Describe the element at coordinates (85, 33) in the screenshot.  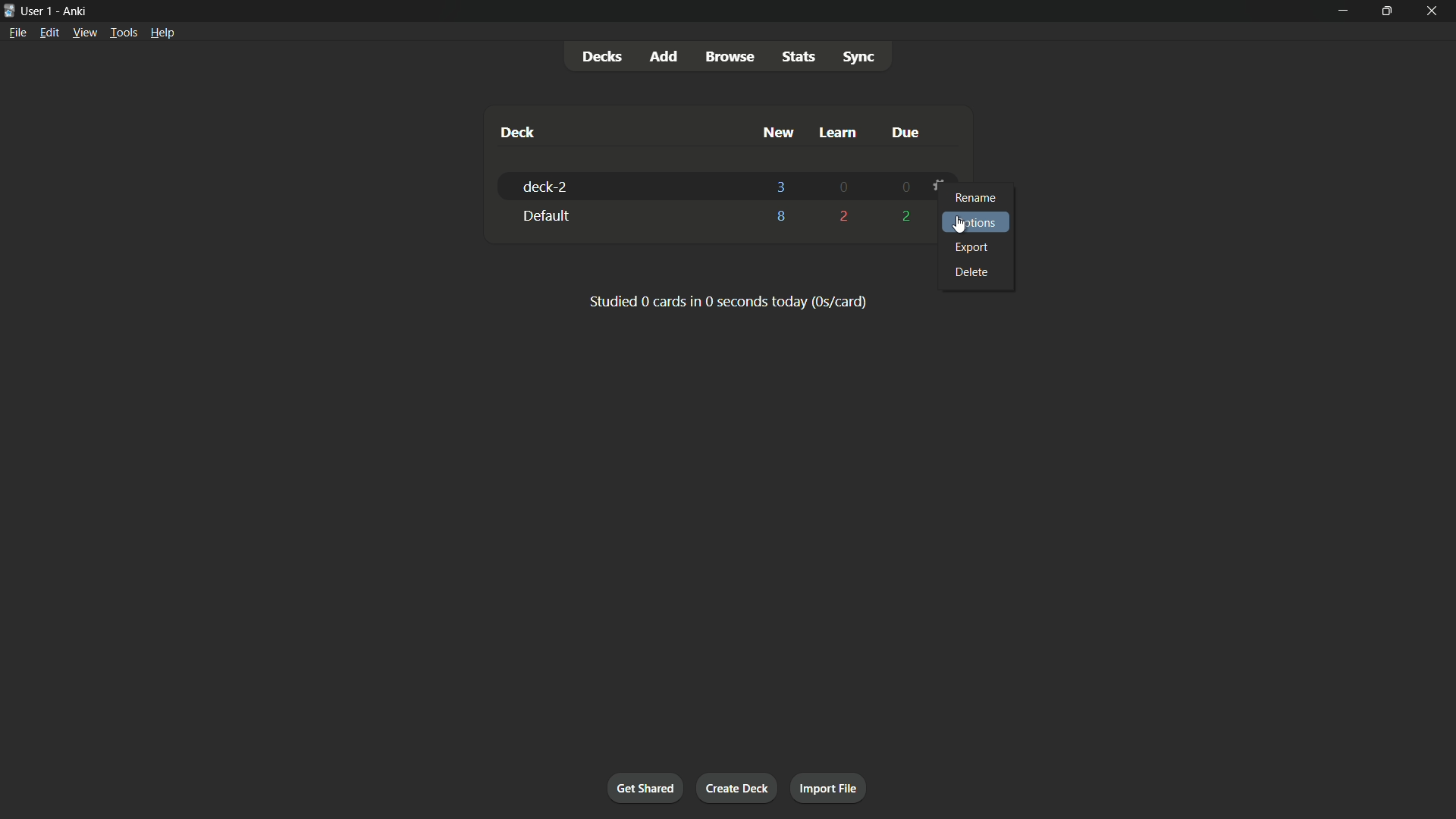
I see `view menu` at that location.